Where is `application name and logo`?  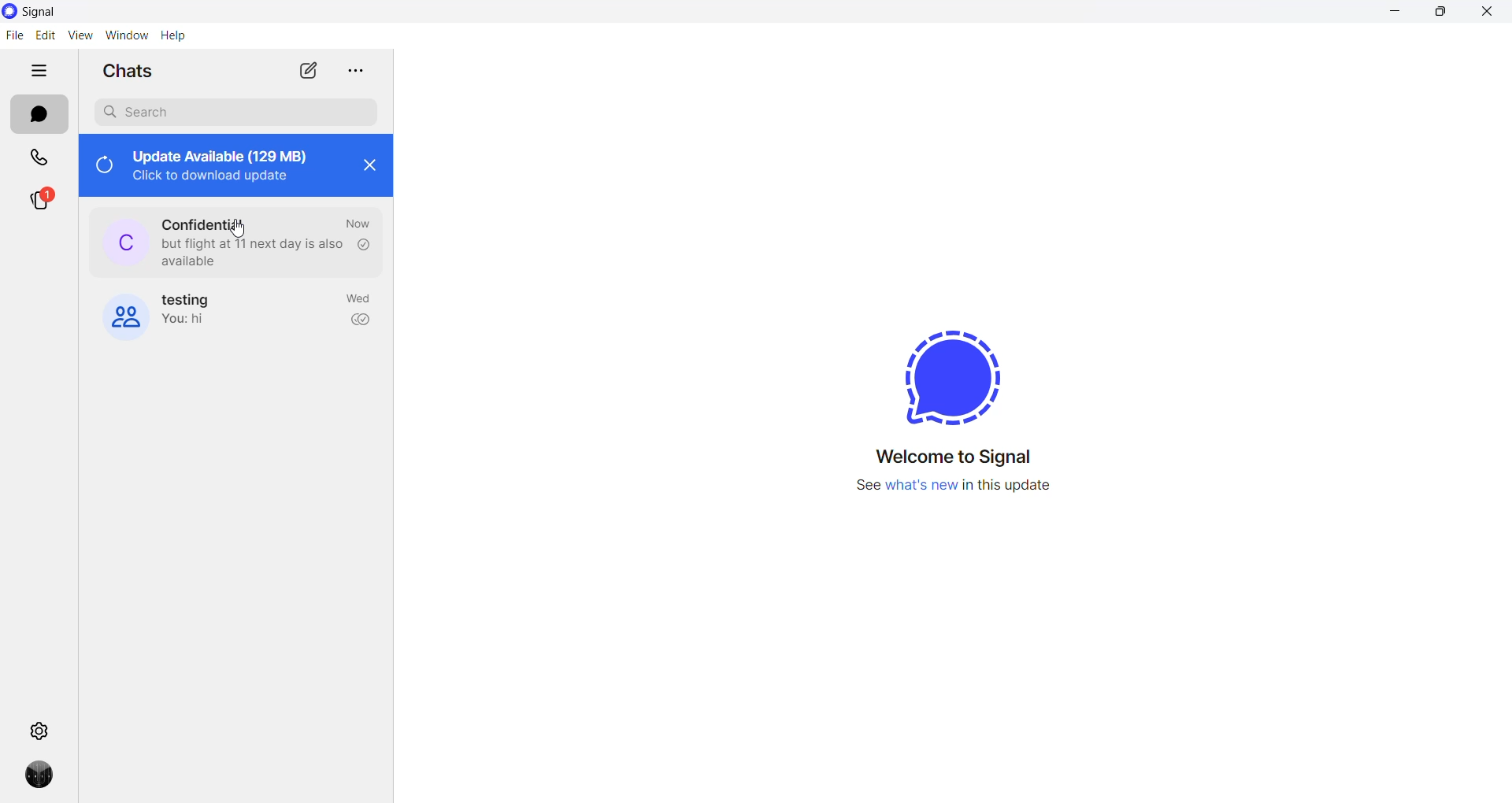
application name and logo is located at coordinates (42, 13).